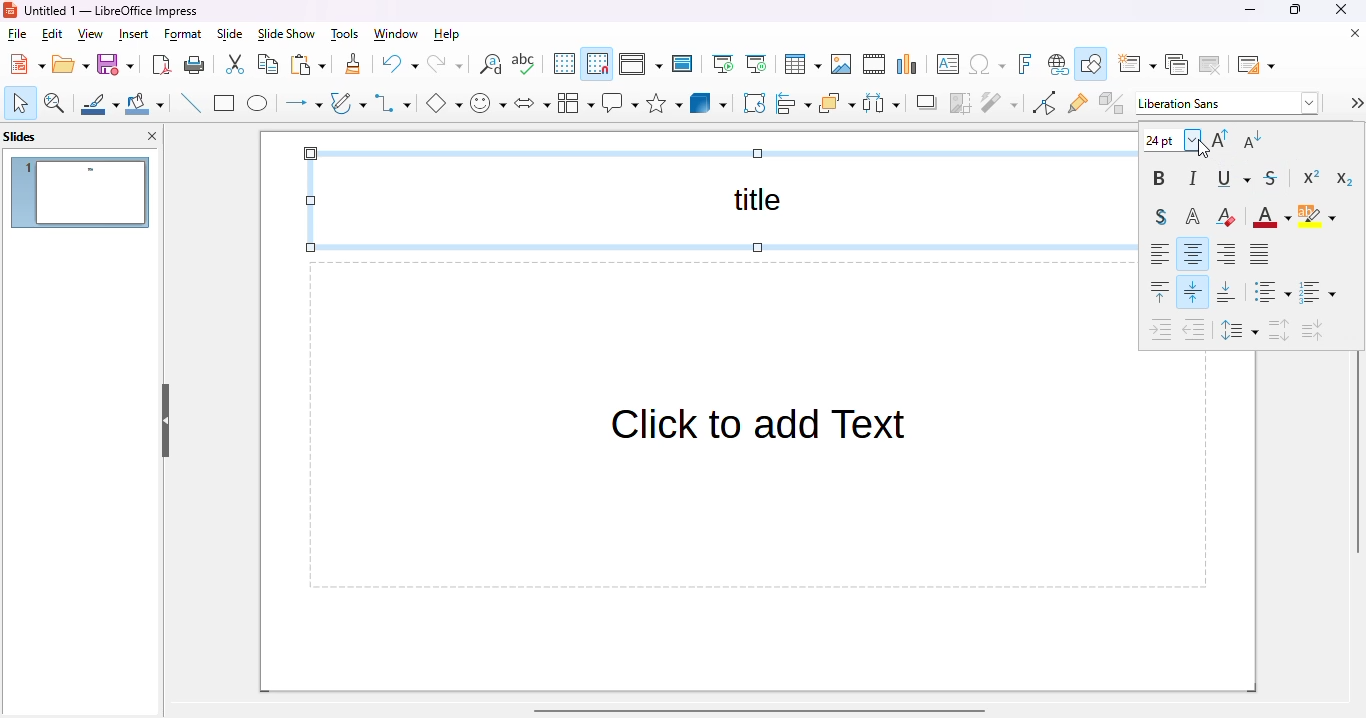 The image size is (1366, 718). I want to click on block arrows, so click(532, 104).